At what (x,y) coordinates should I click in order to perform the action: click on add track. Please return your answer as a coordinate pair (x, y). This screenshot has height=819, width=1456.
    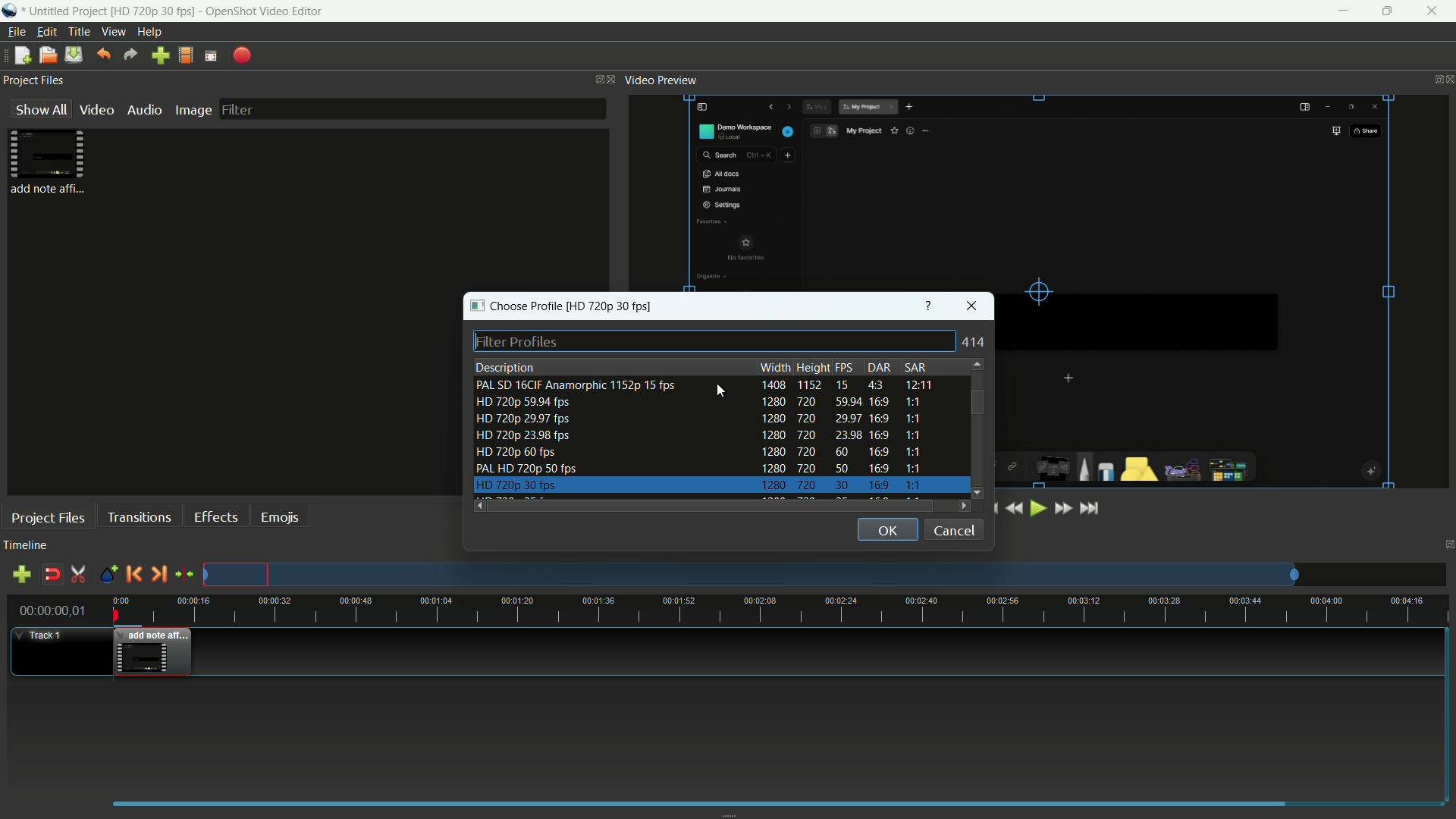
    Looking at the image, I should click on (21, 575).